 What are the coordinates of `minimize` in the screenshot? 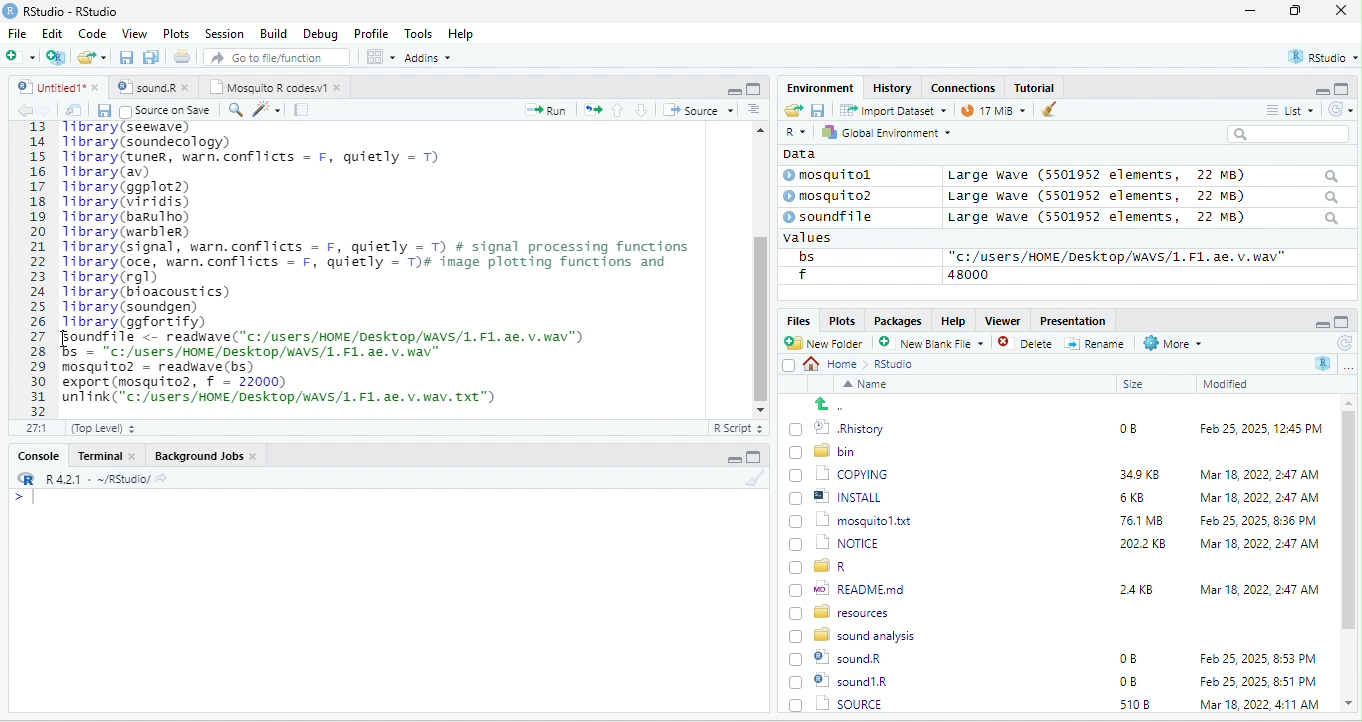 It's located at (733, 90).